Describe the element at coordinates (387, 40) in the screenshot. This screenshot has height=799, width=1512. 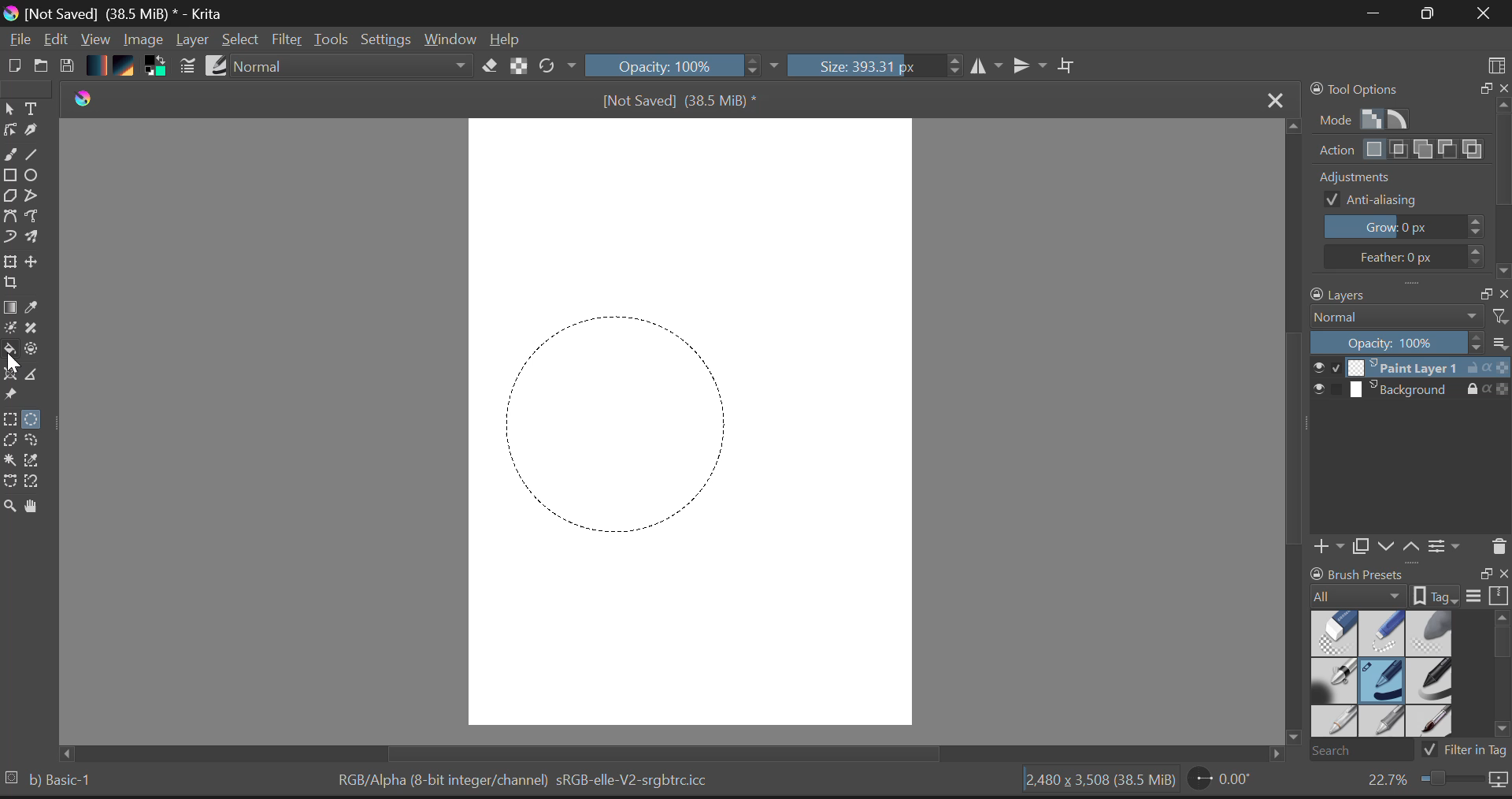
I see `Settings` at that location.